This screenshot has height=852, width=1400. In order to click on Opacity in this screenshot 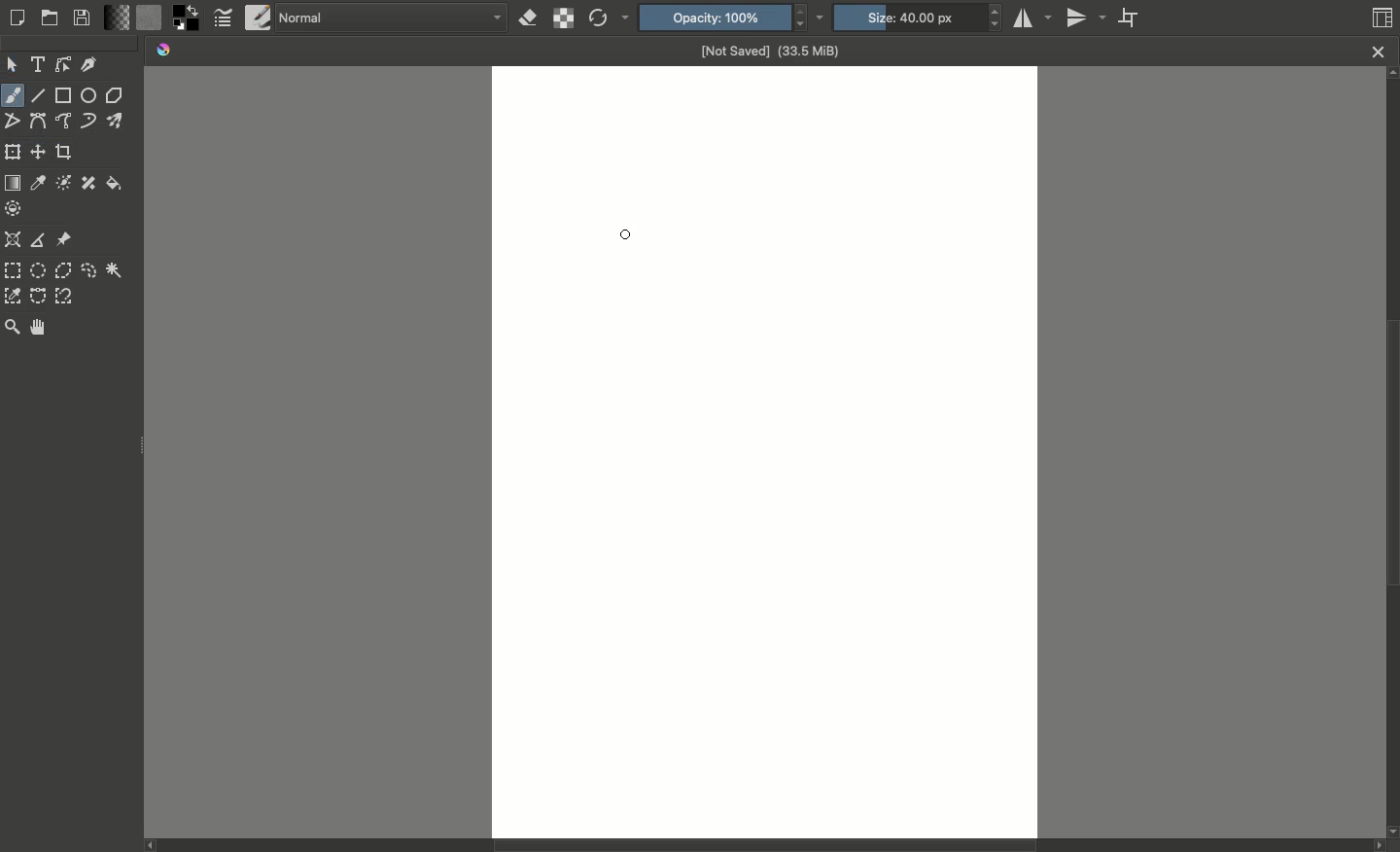, I will do `click(736, 18)`.